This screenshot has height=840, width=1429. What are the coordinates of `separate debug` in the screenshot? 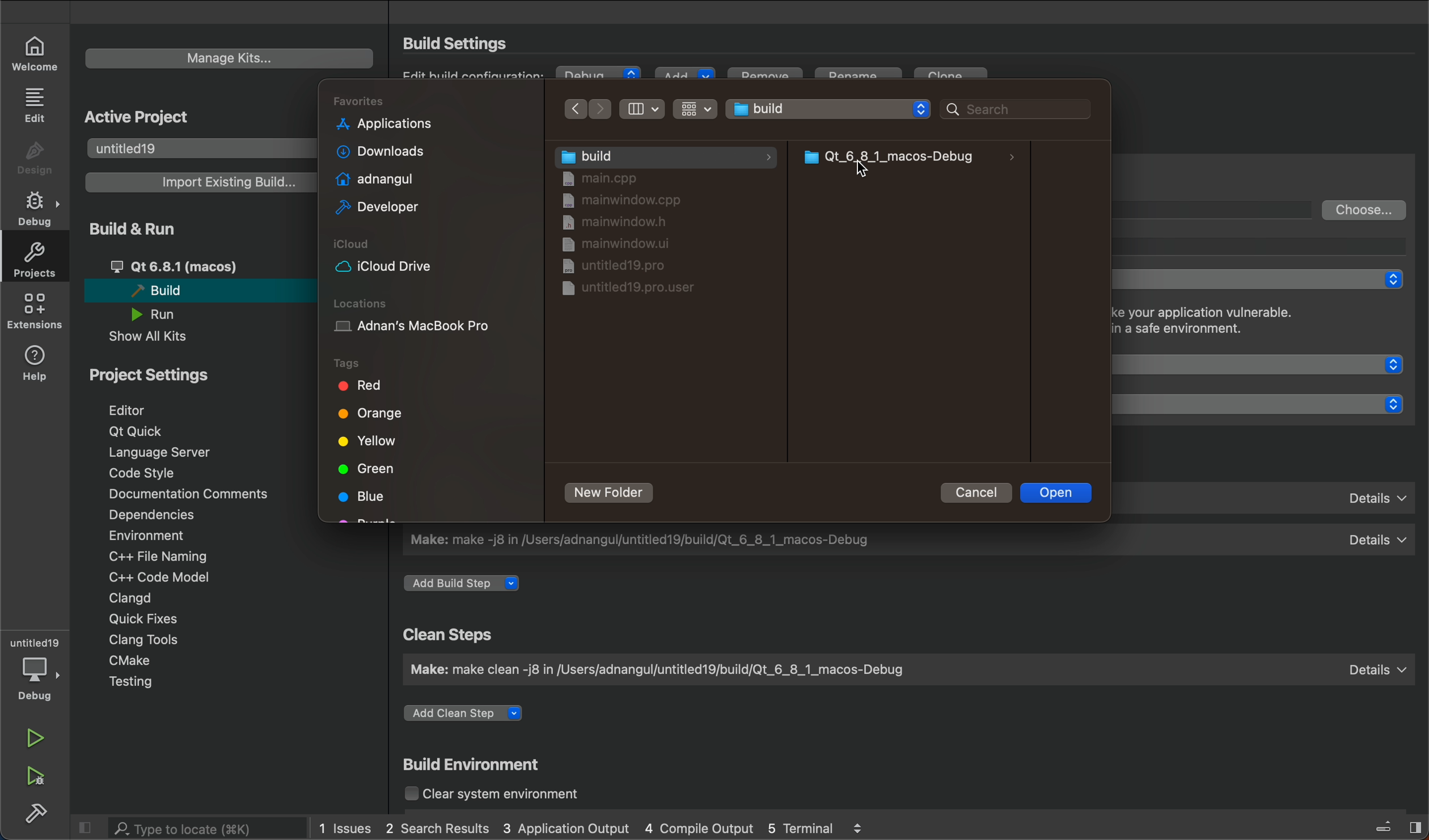 It's located at (1263, 279).